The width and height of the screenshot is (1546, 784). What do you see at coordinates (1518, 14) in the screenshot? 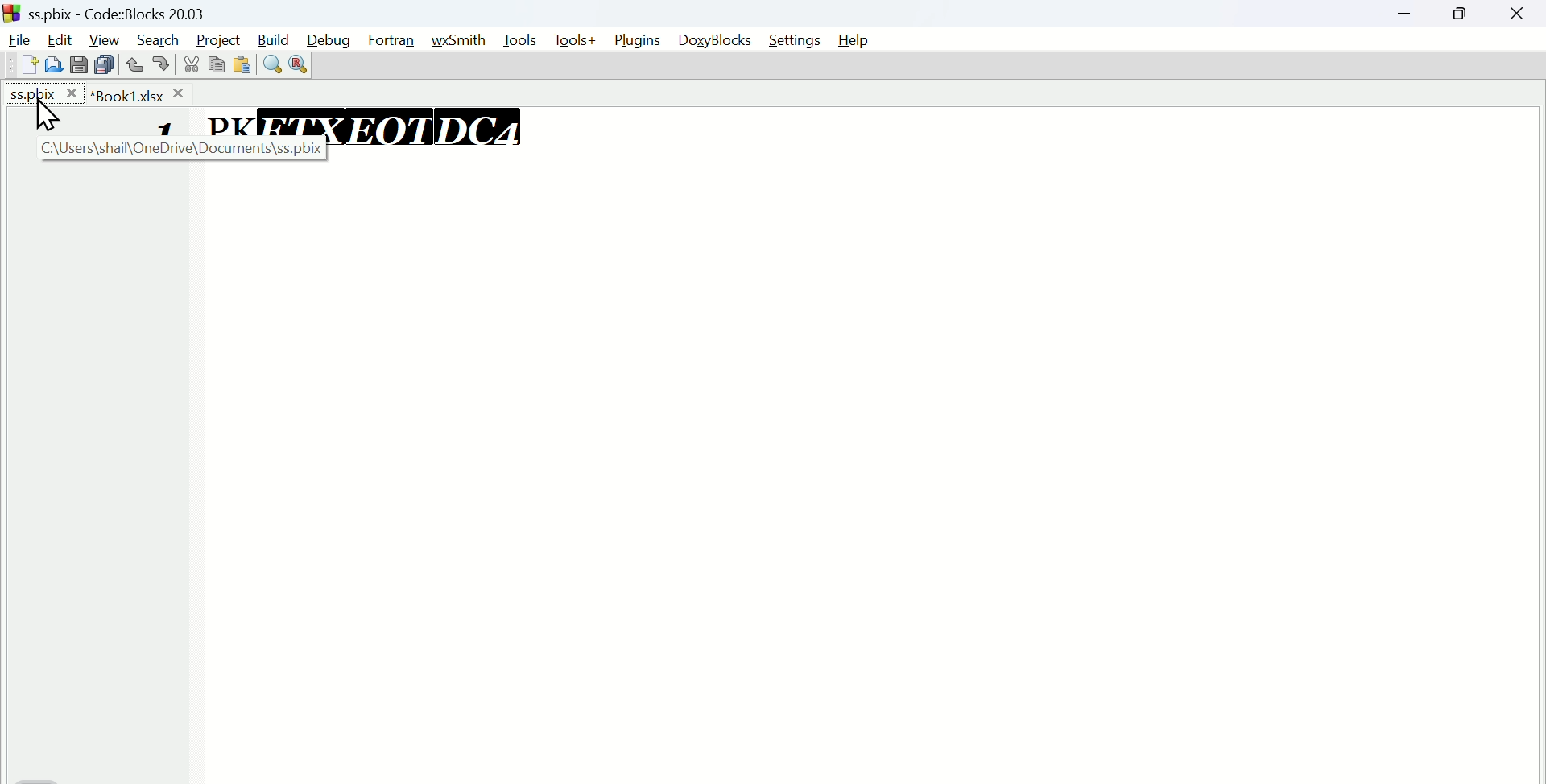
I see `close` at bounding box center [1518, 14].